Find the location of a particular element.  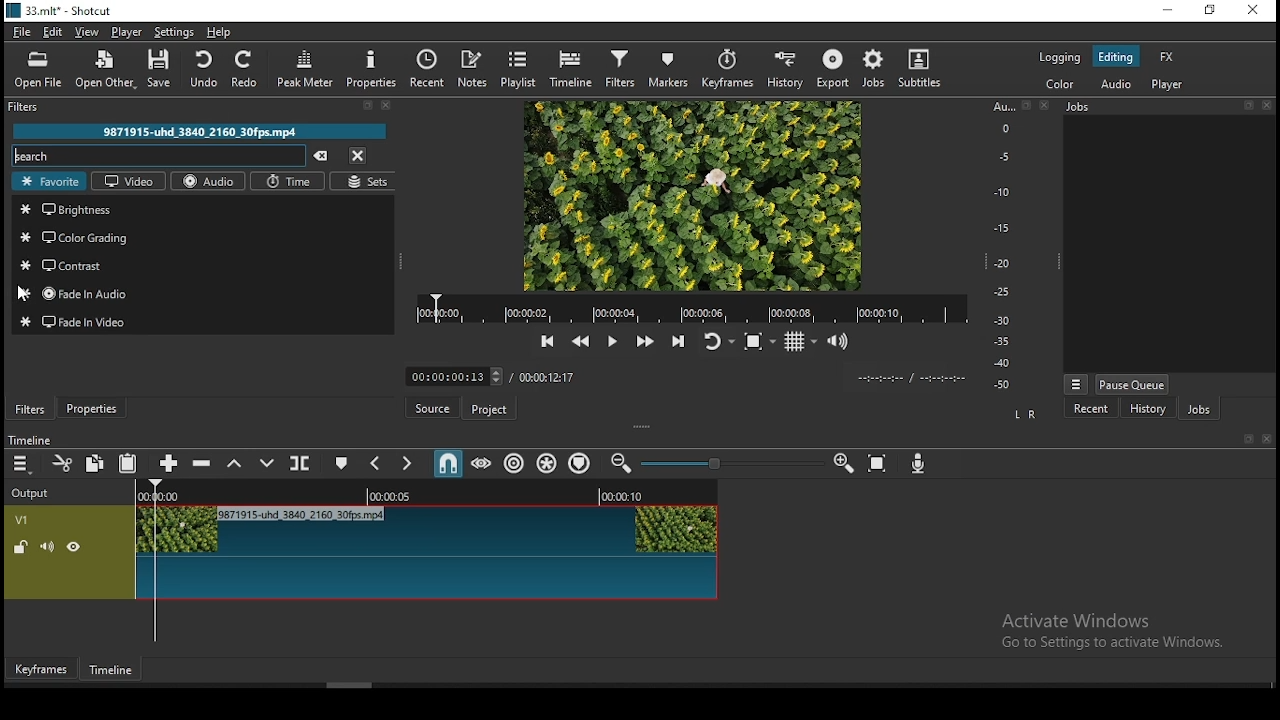

video track is located at coordinates (367, 553).